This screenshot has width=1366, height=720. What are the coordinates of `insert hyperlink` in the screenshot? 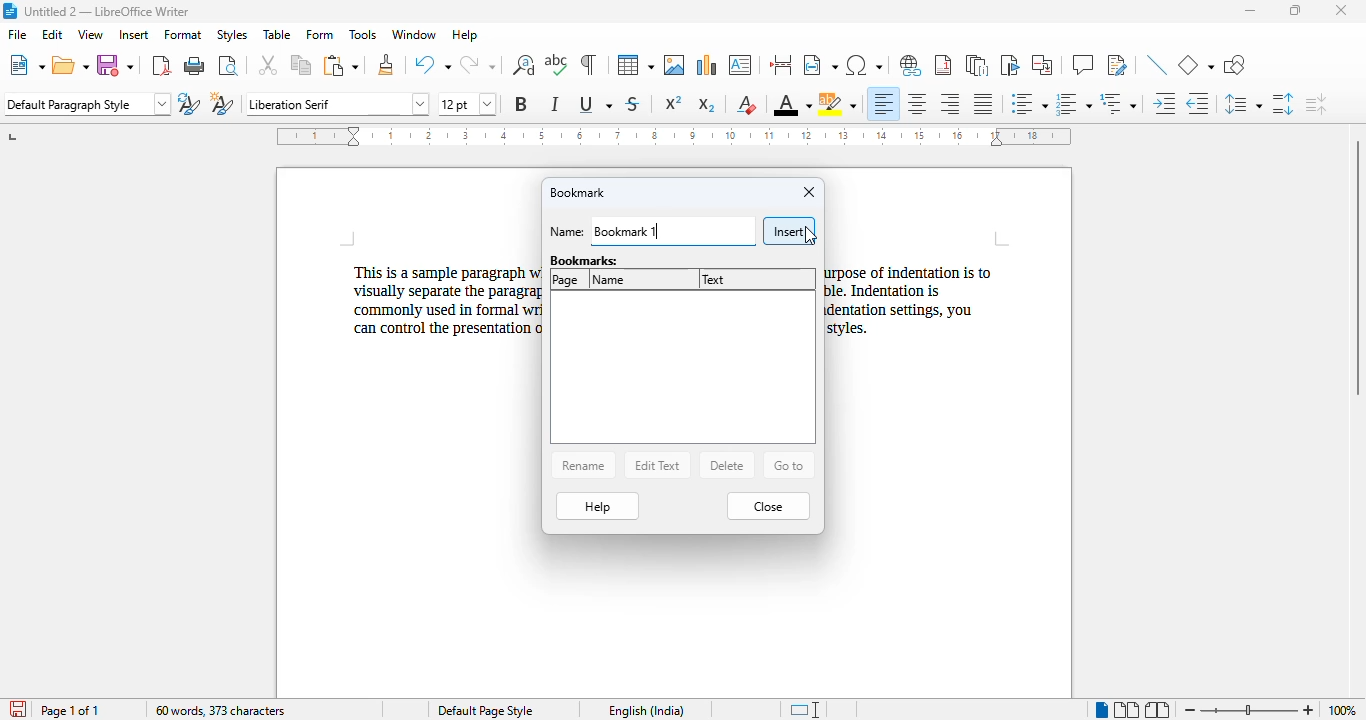 It's located at (911, 65).